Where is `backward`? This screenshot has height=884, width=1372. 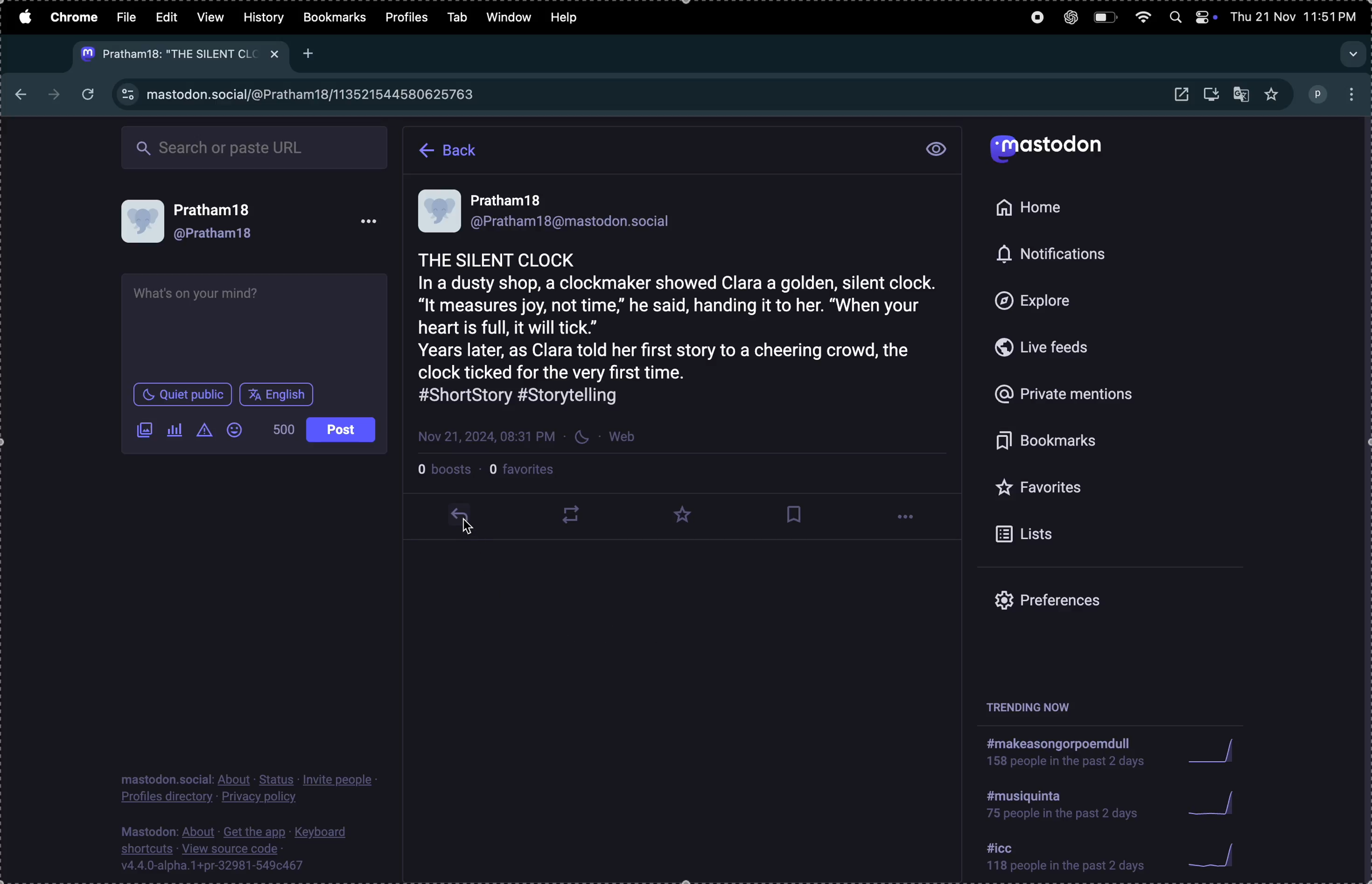
backward is located at coordinates (17, 90).